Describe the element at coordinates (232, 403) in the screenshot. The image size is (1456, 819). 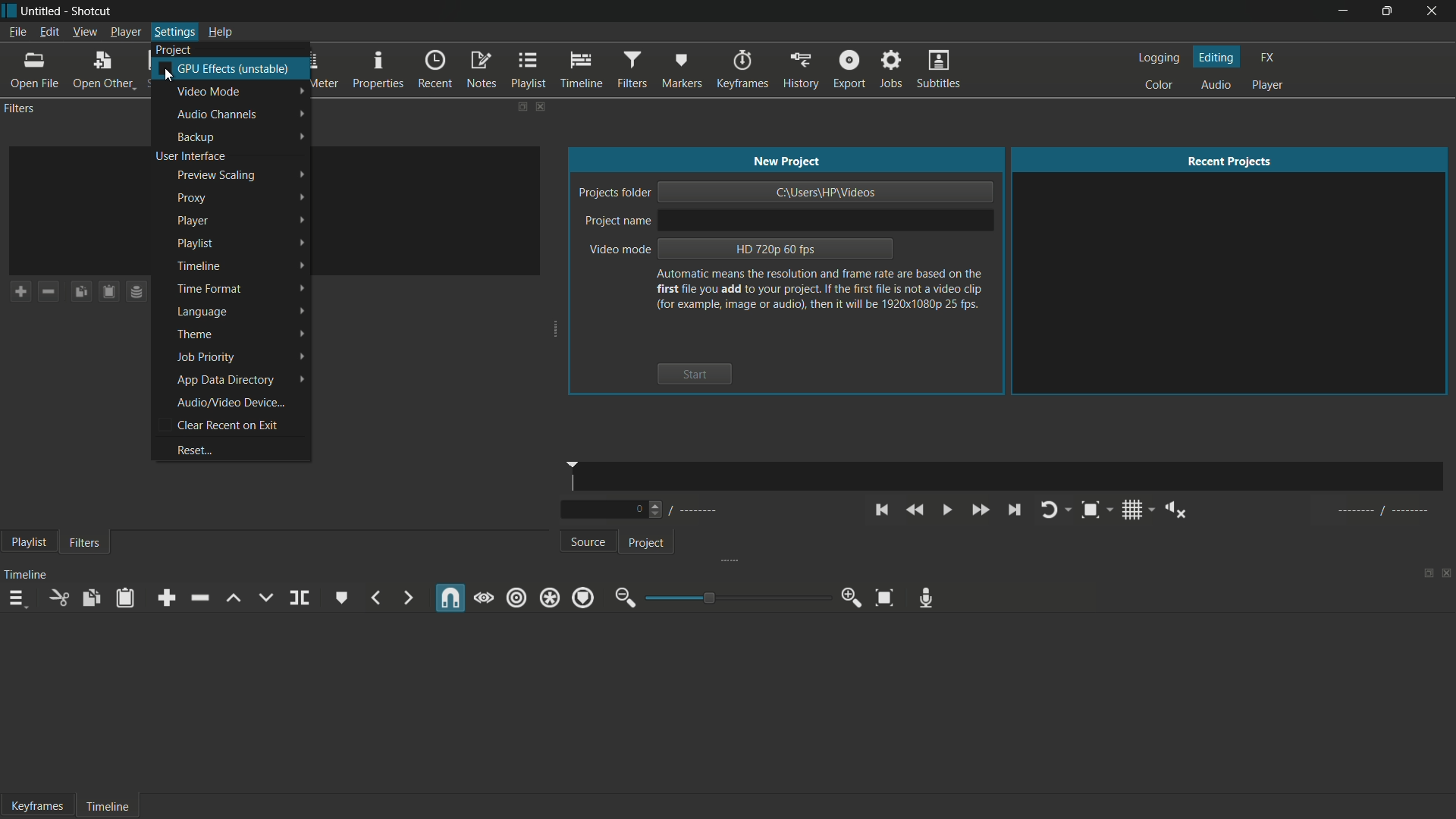
I see `audio or video device` at that location.